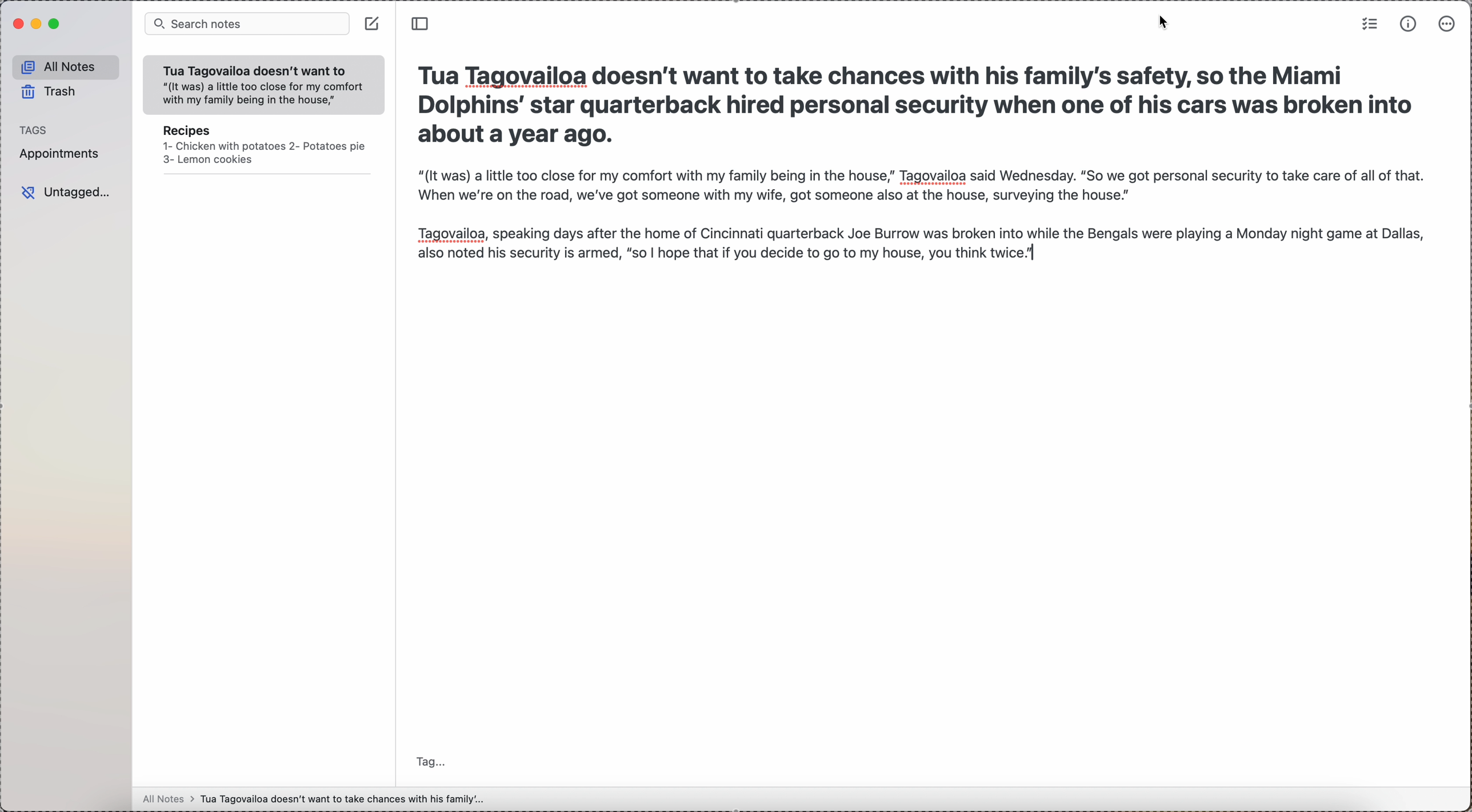 The height and width of the screenshot is (812, 1472). What do you see at coordinates (1369, 25) in the screenshot?
I see `check list` at bounding box center [1369, 25].